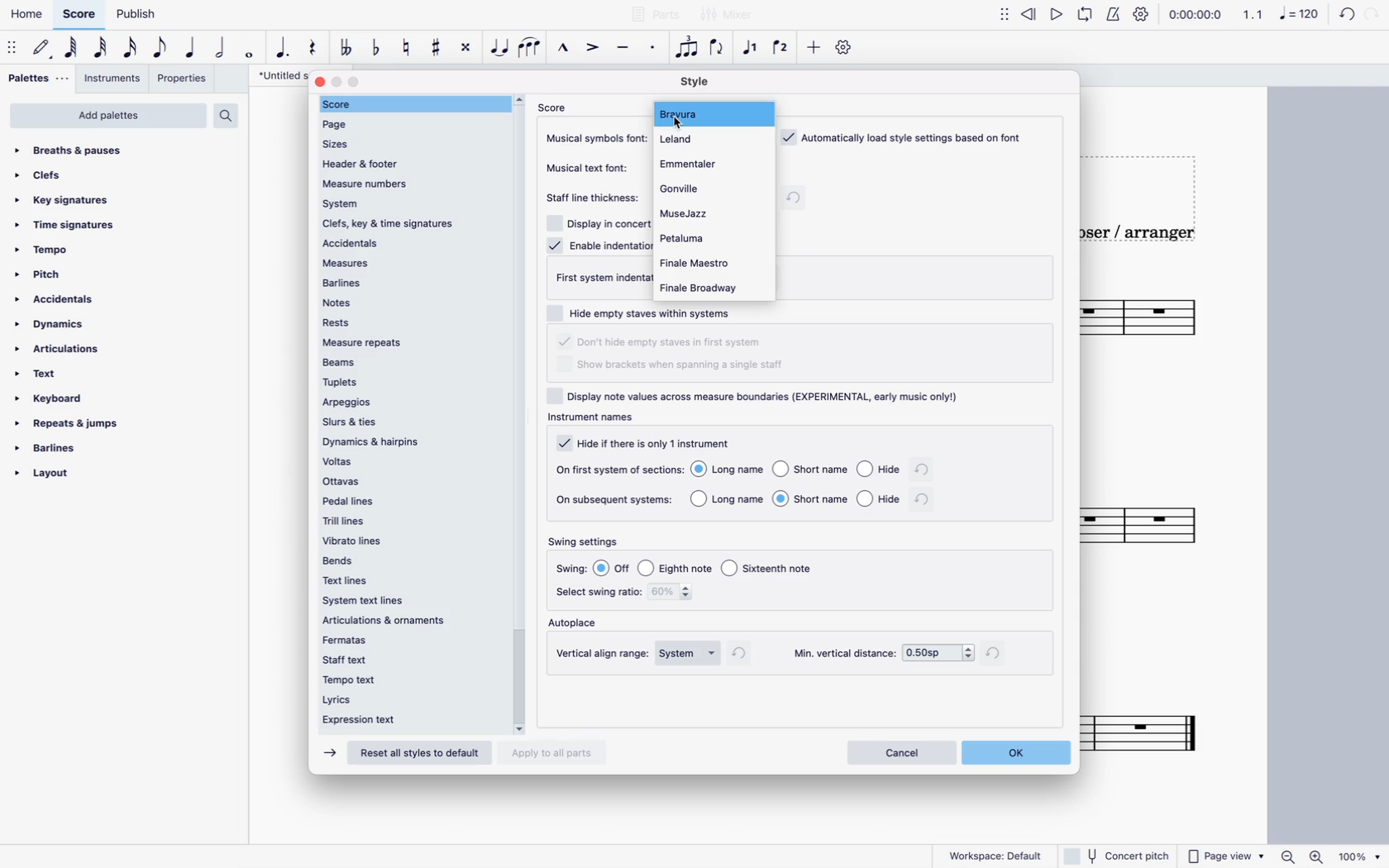 The width and height of the screenshot is (1389, 868). Describe the element at coordinates (179, 79) in the screenshot. I see `properties` at that location.